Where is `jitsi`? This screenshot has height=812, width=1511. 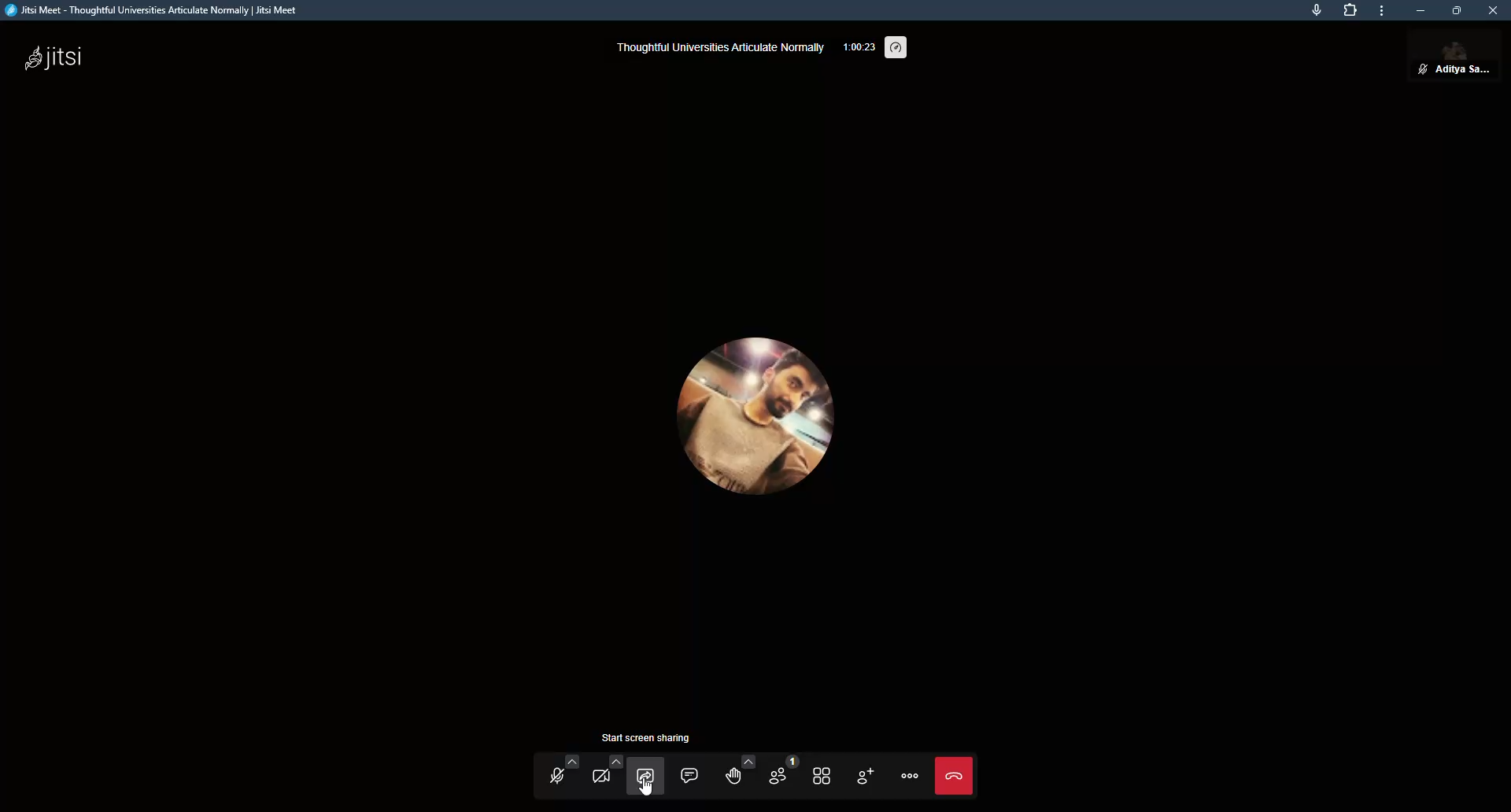
jitsi is located at coordinates (55, 59).